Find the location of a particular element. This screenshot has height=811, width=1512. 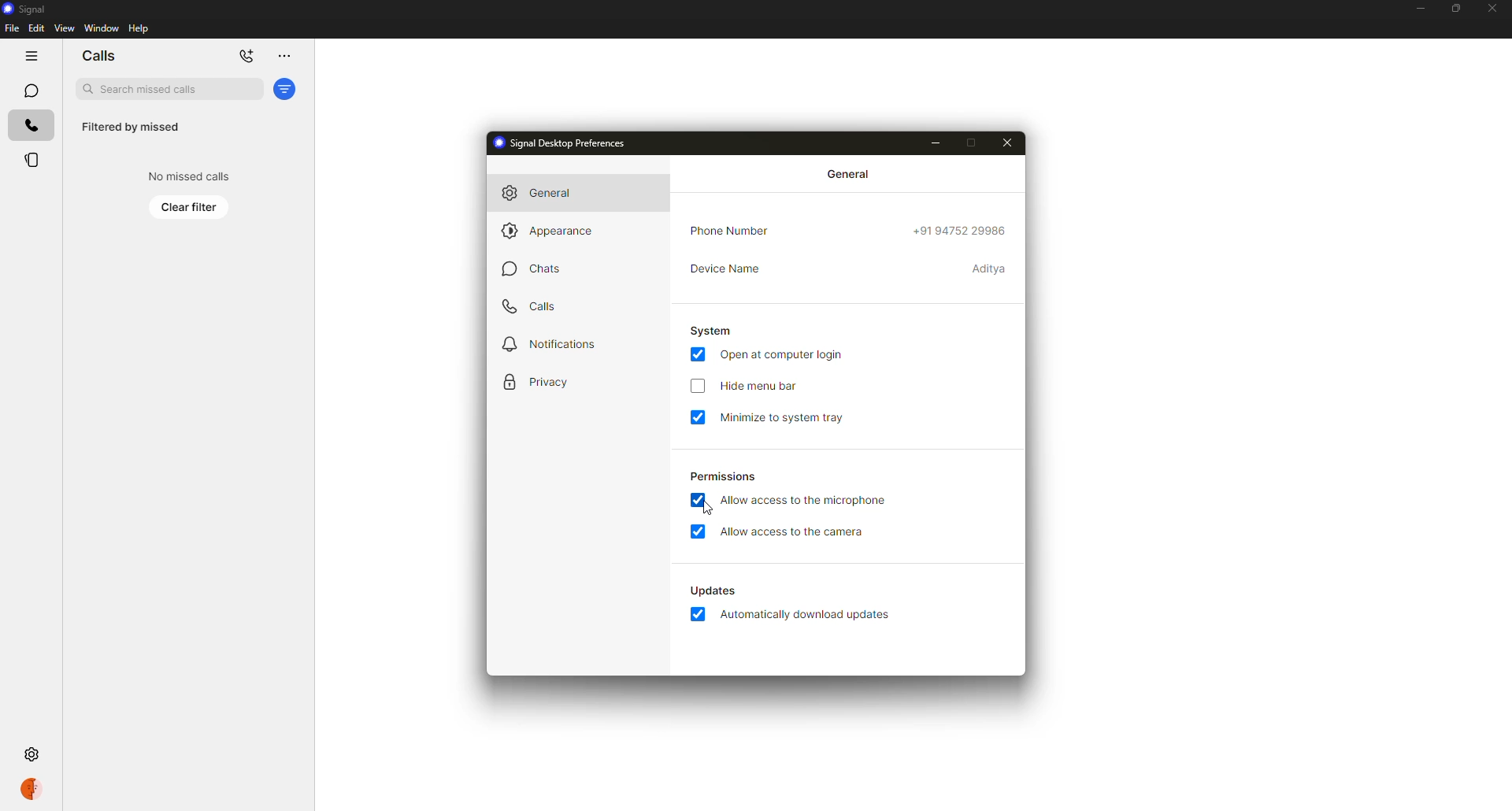

signal is located at coordinates (26, 9).